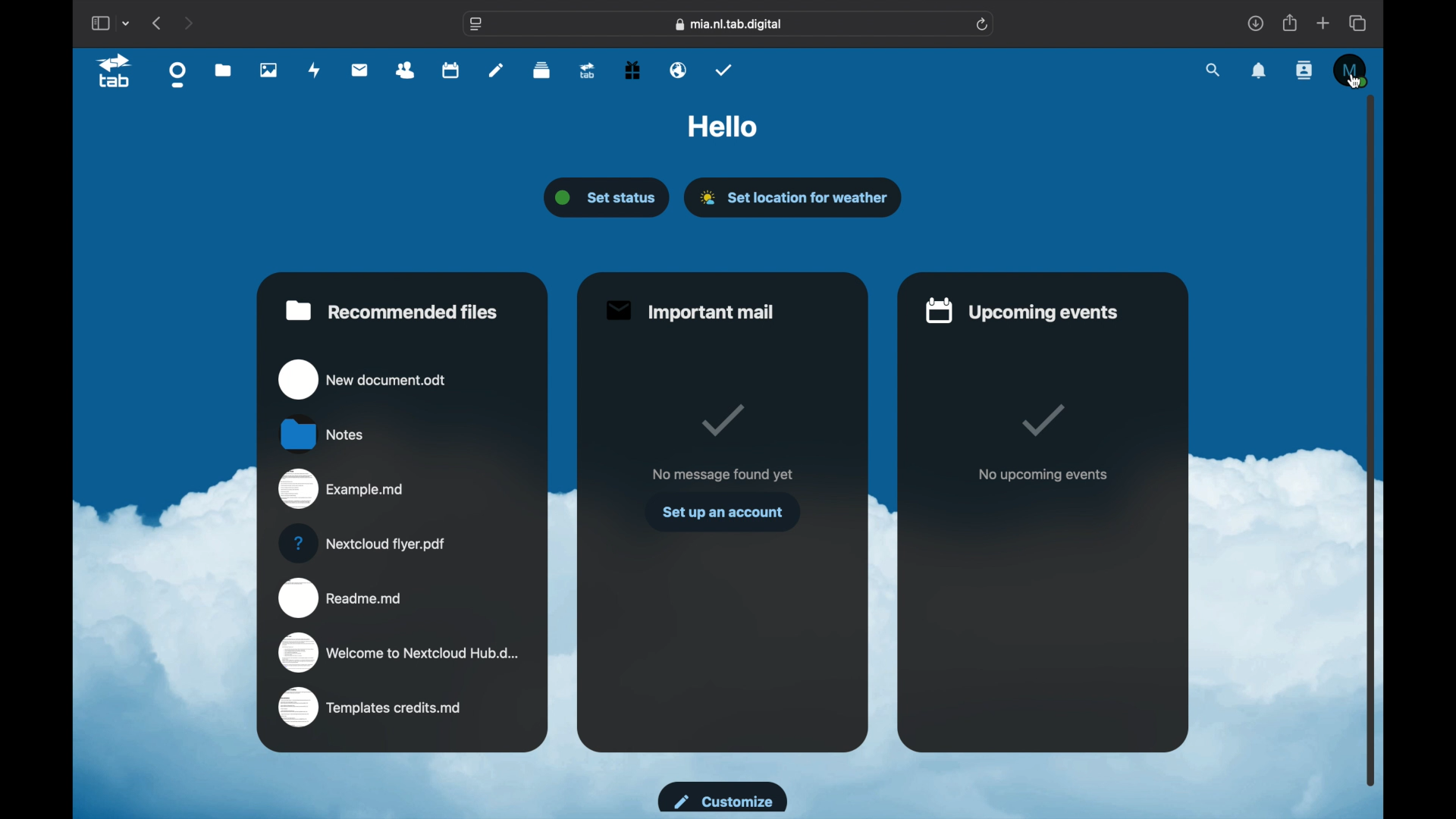 The height and width of the screenshot is (819, 1456). I want to click on recommended files, so click(392, 310).